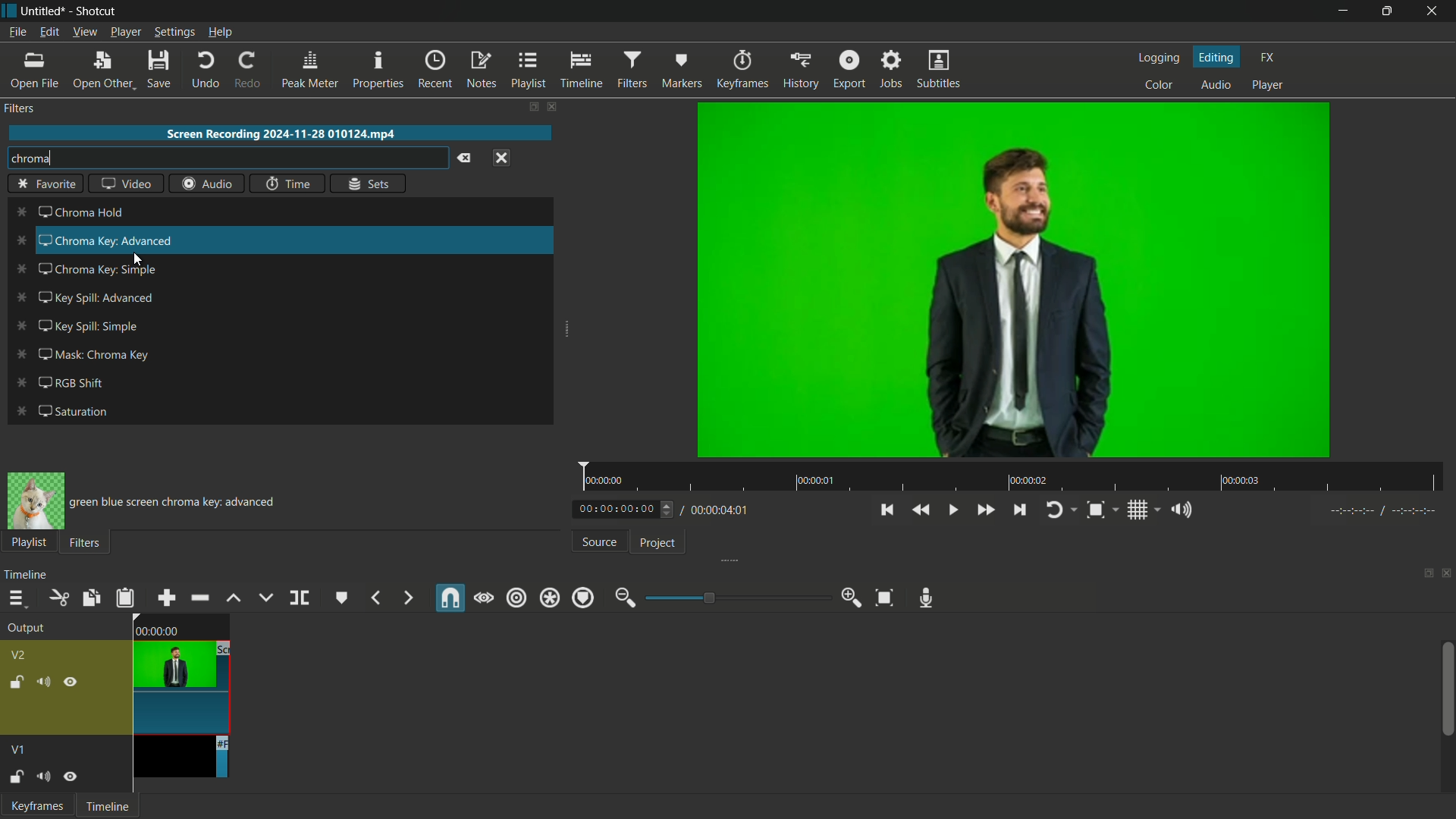  What do you see at coordinates (890, 71) in the screenshot?
I see `jobs` at bounding box center [890, 71].